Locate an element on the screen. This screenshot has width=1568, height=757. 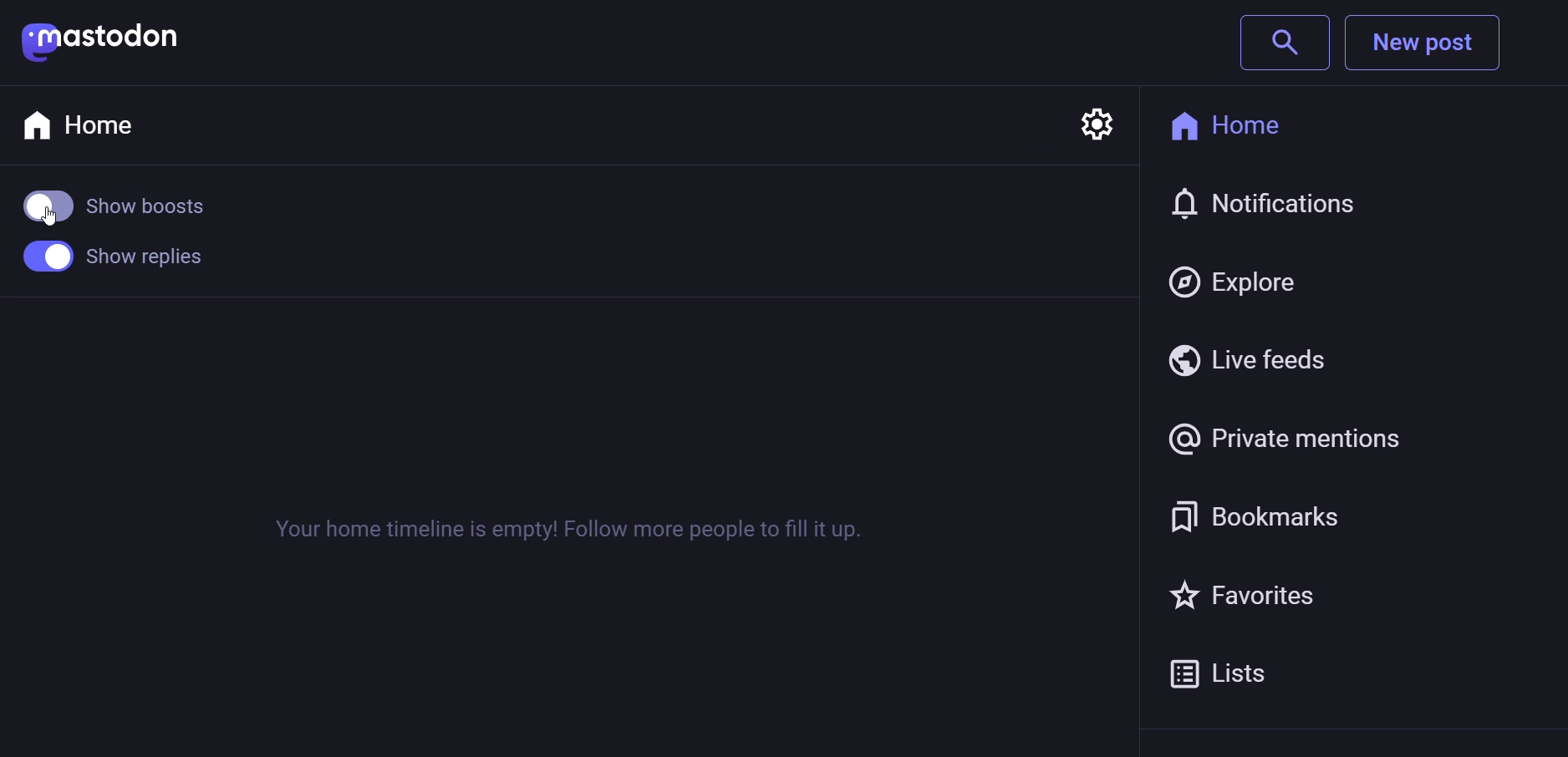
Your home timeline is empty! Follow more people to fill it up. is located at coordinates (564, 529).